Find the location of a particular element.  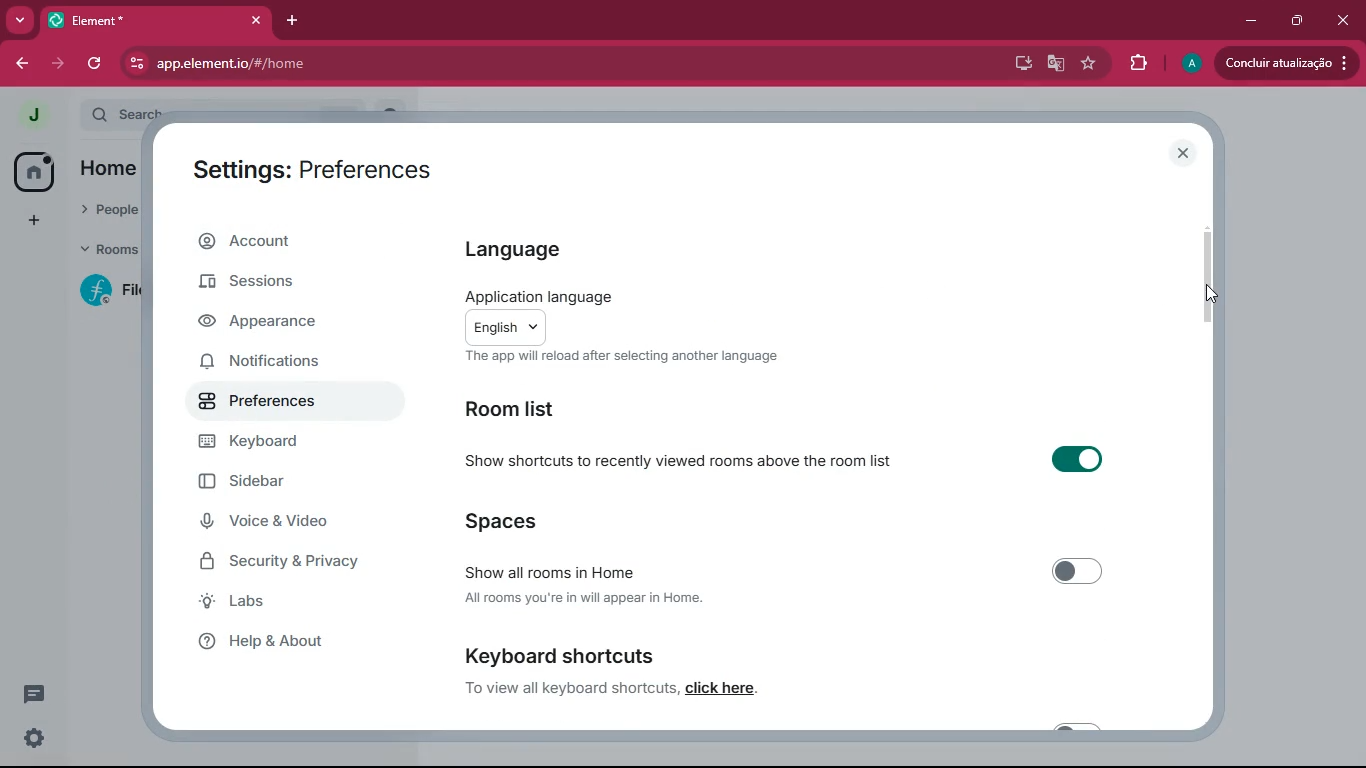

The app will reload after selecting another language is located at coordinates (619, 357).